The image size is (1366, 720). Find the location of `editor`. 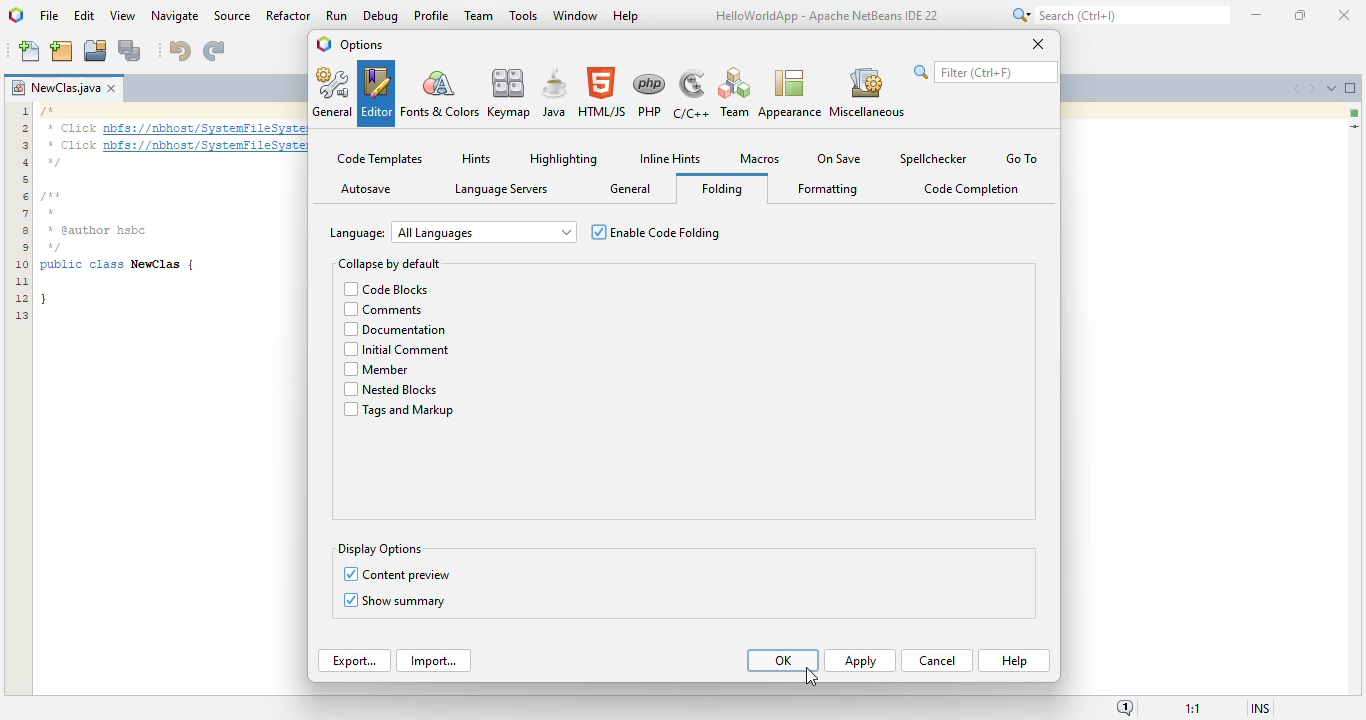

editor is located at coordinates (376, 92).